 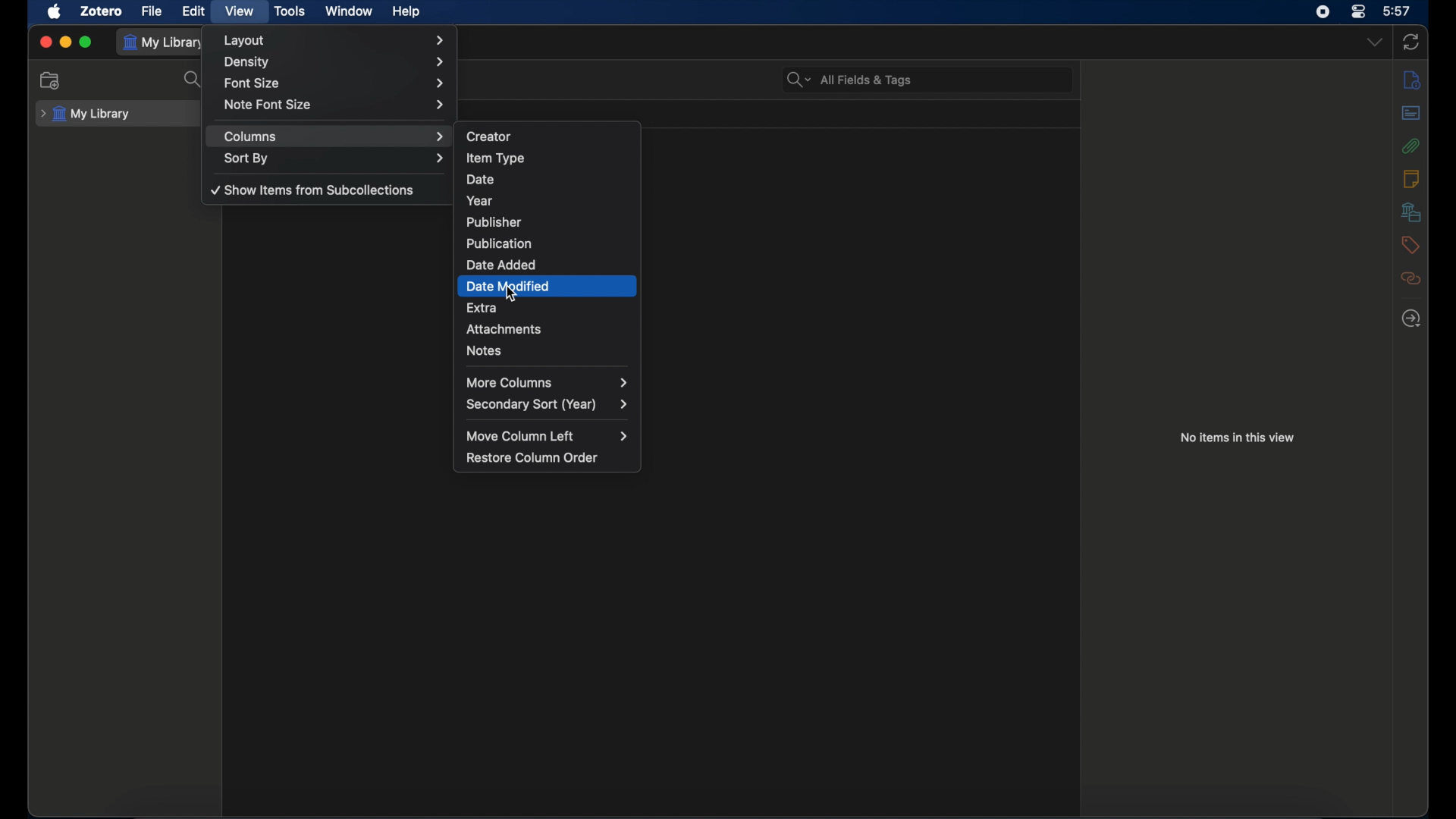 I want to click on apple icon, so click(x=55, y=12).